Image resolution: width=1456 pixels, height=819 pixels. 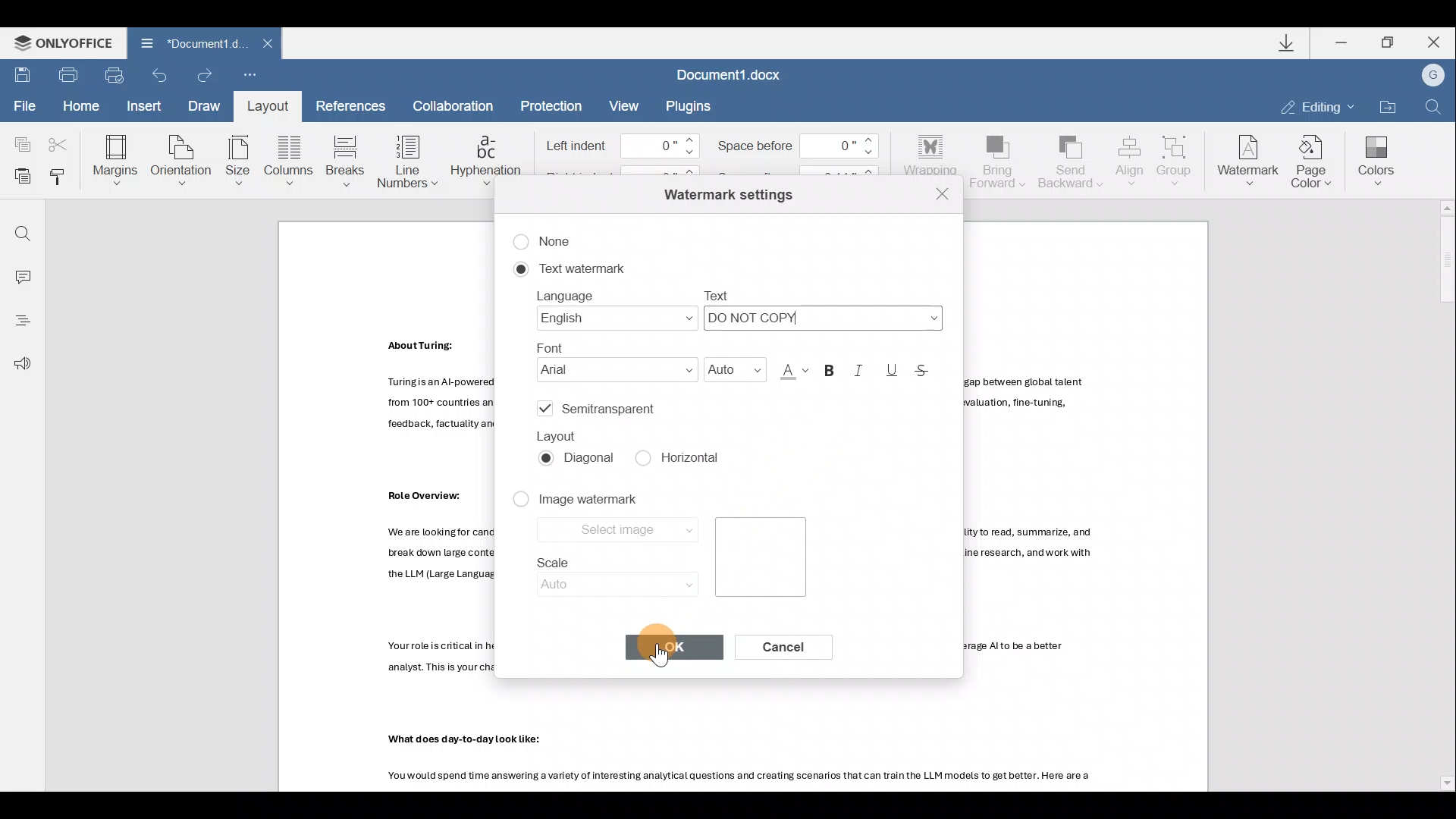 What do you see at coordinates (1072, 160) in the screenshot?
I see `Send backward` at bounding box center [1072, 160].